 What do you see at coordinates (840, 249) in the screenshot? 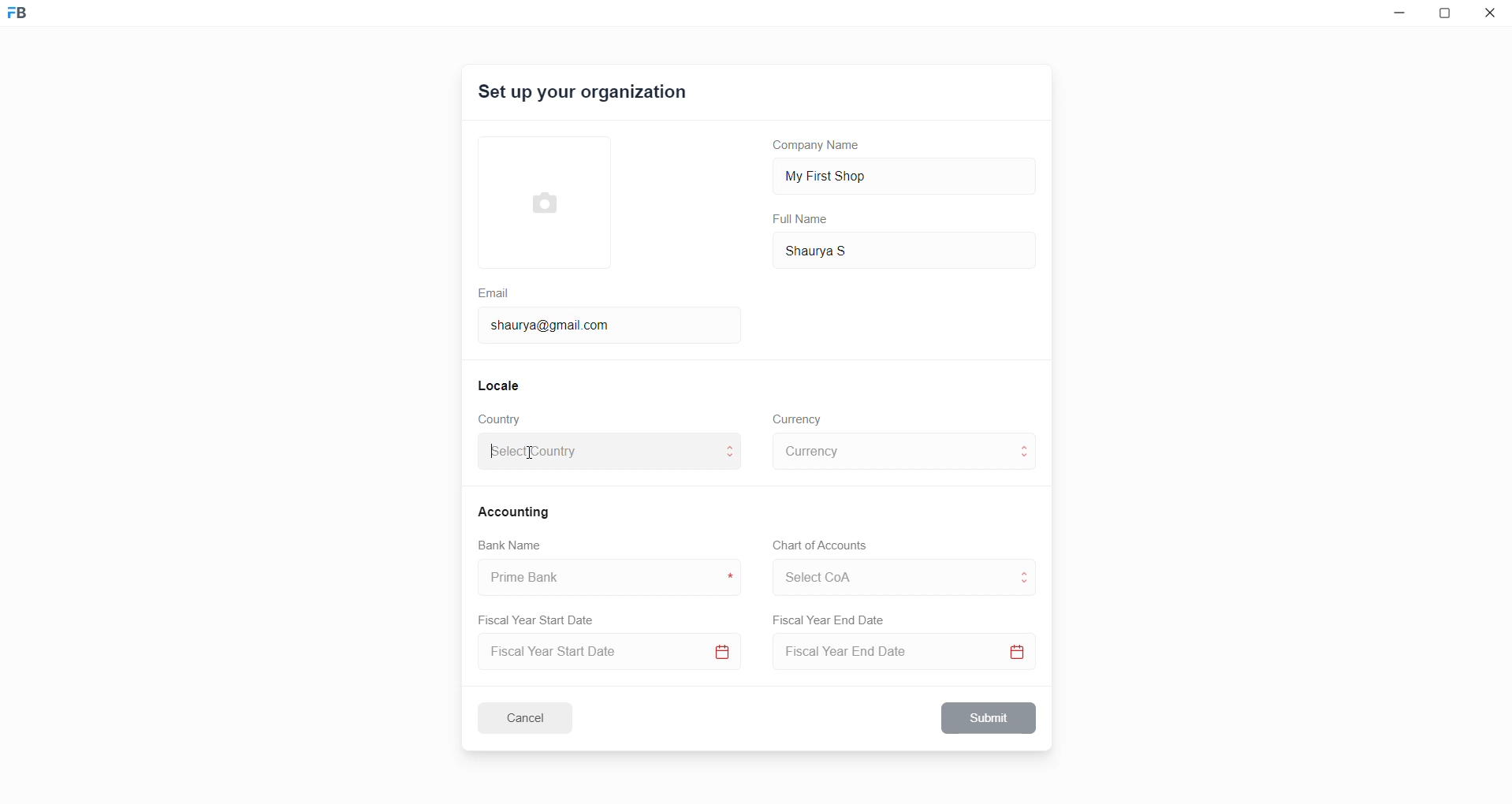
I see `Shaurya S` at bounding box center [840, 249].